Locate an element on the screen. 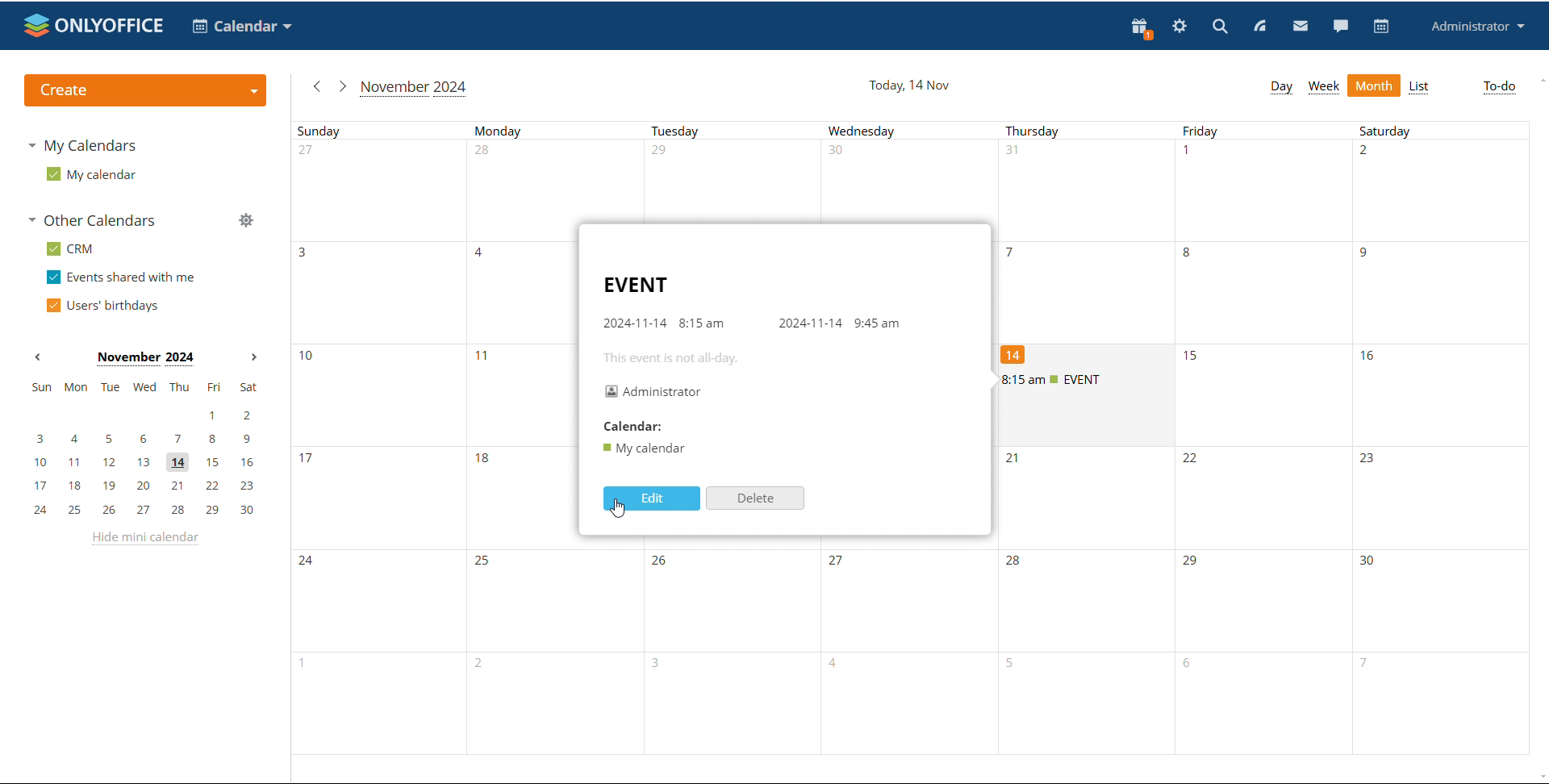 Image resolution: width=1549 pixels, height=784 pixels. settings is located at coordinates (1180, 27).